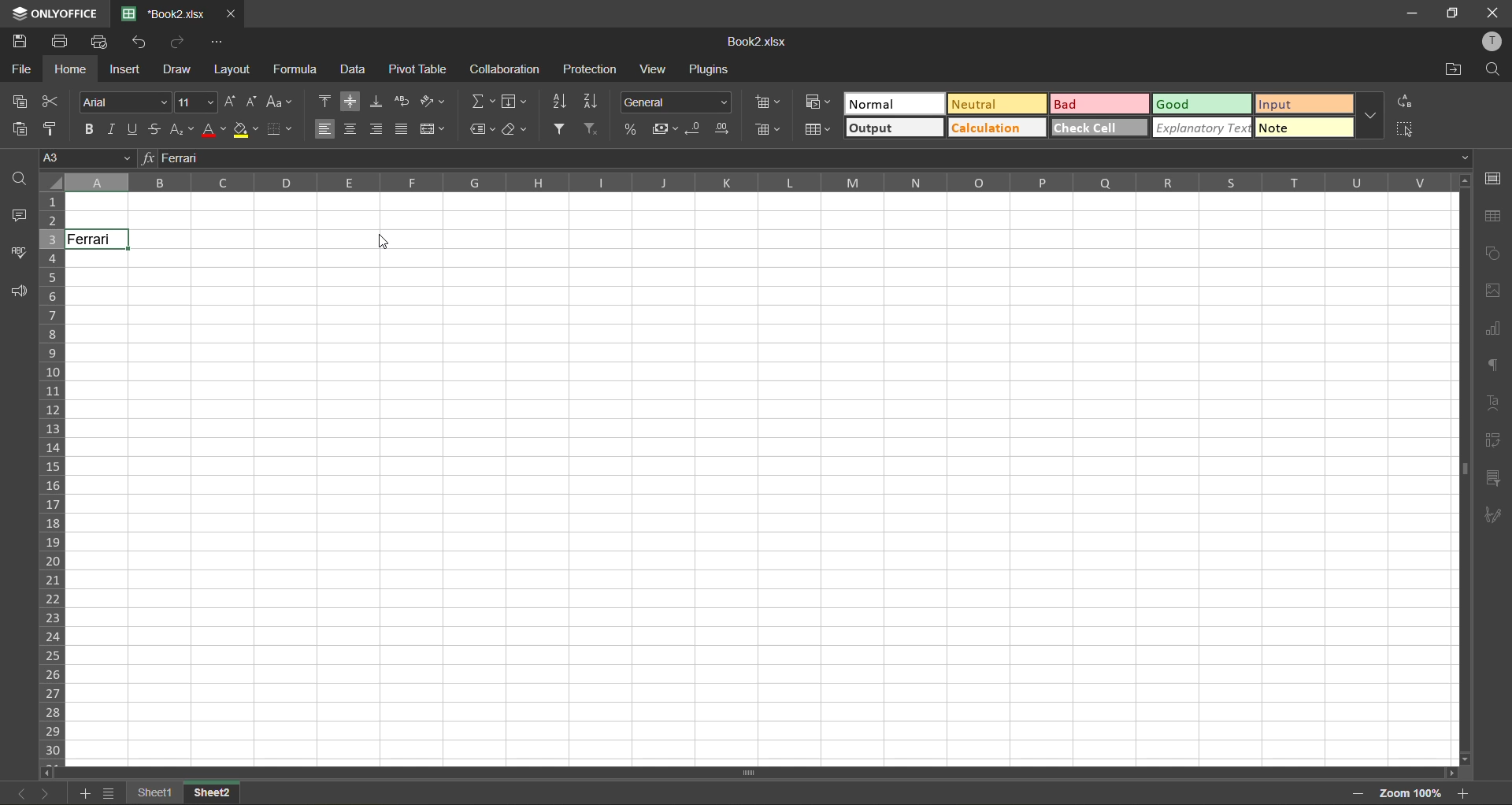 Image resolution: width=1512 pixels, height=805 pixels. I want to click on insert cells, so click(766, 105).